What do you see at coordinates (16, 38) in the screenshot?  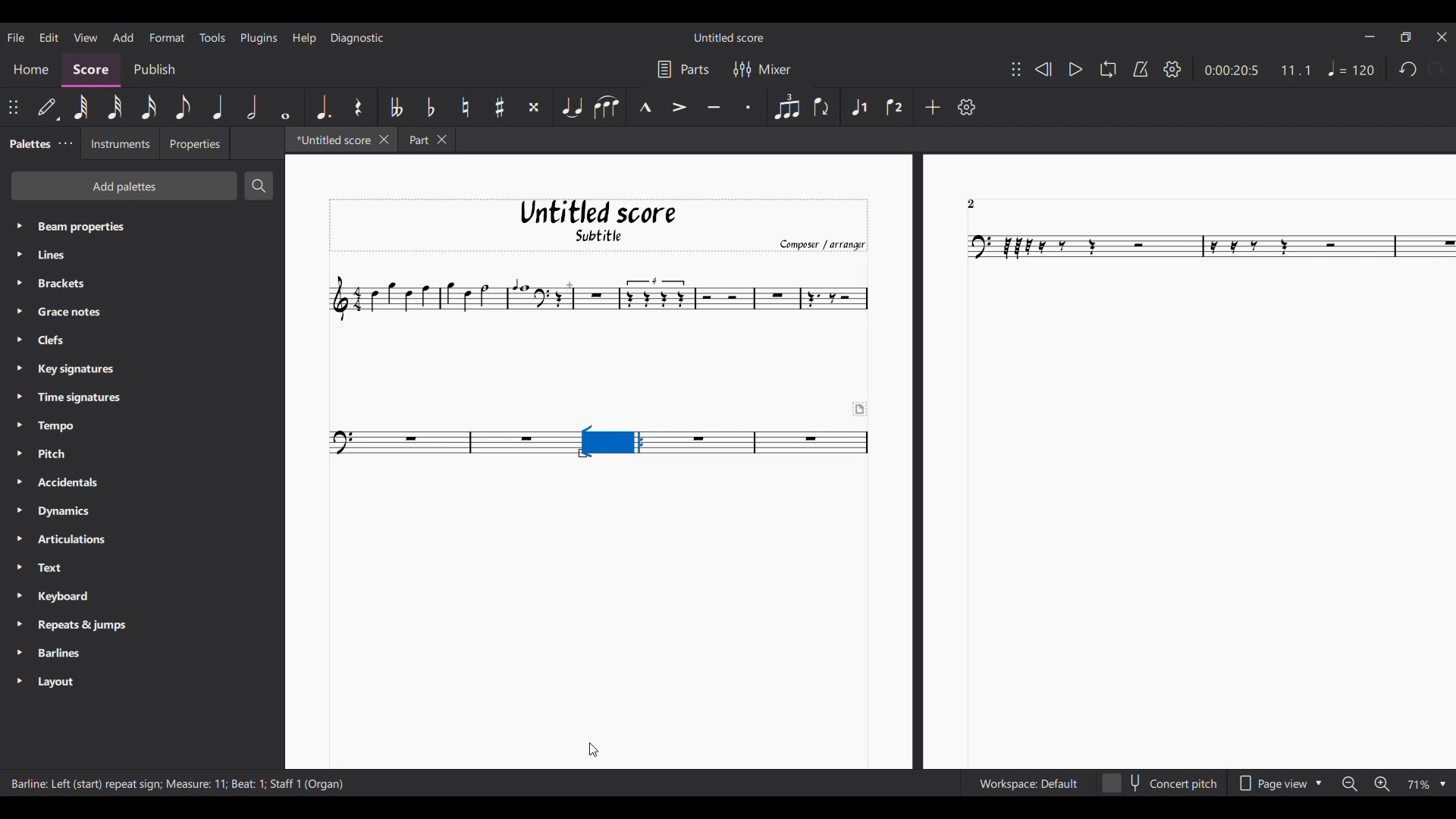 I see `File menu` at bounding box center [16, 38].